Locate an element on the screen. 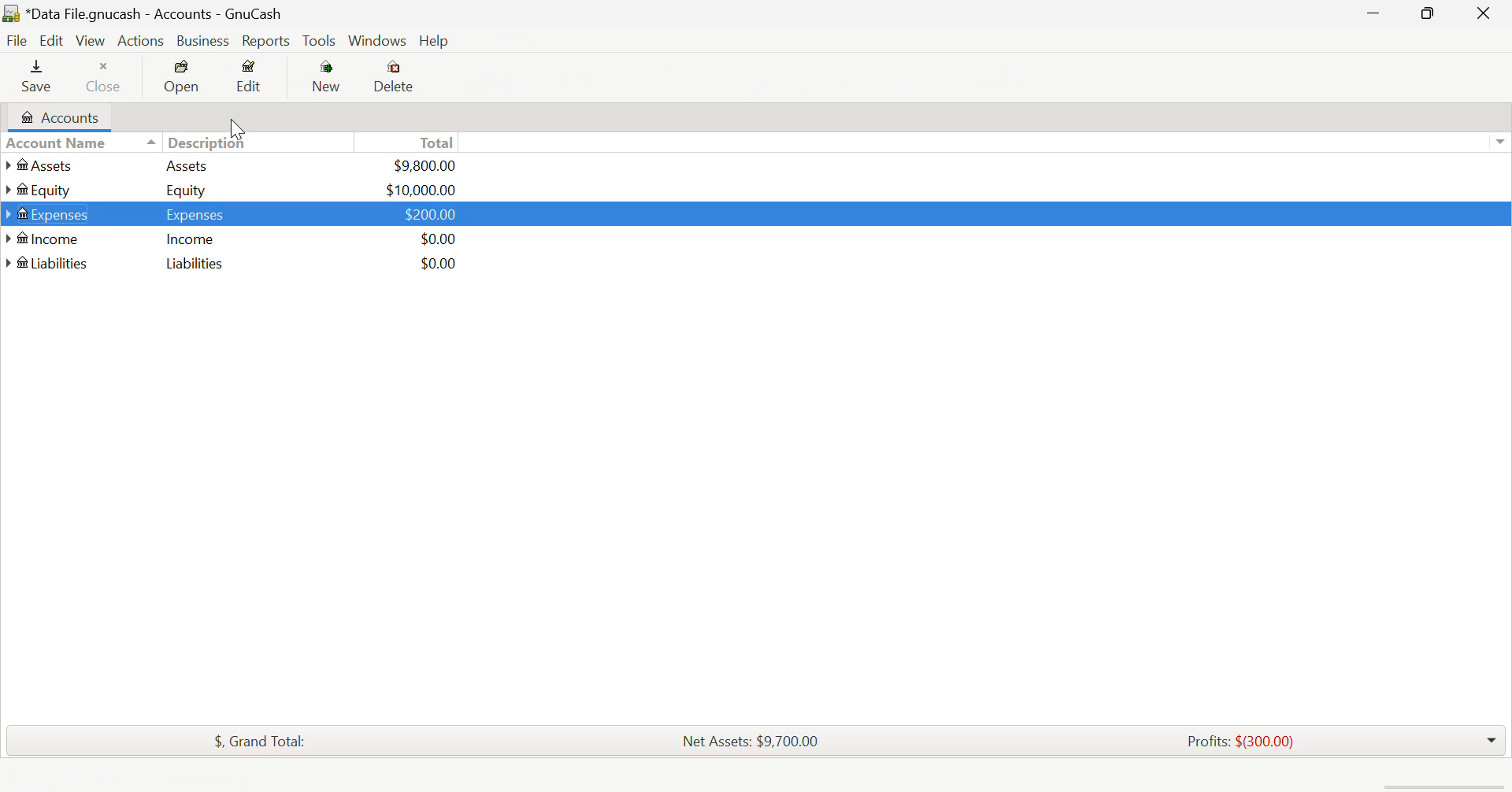 Image resolution: width=1512 pixels, height=792 pixels. Save is located at coordinates (38, 77).